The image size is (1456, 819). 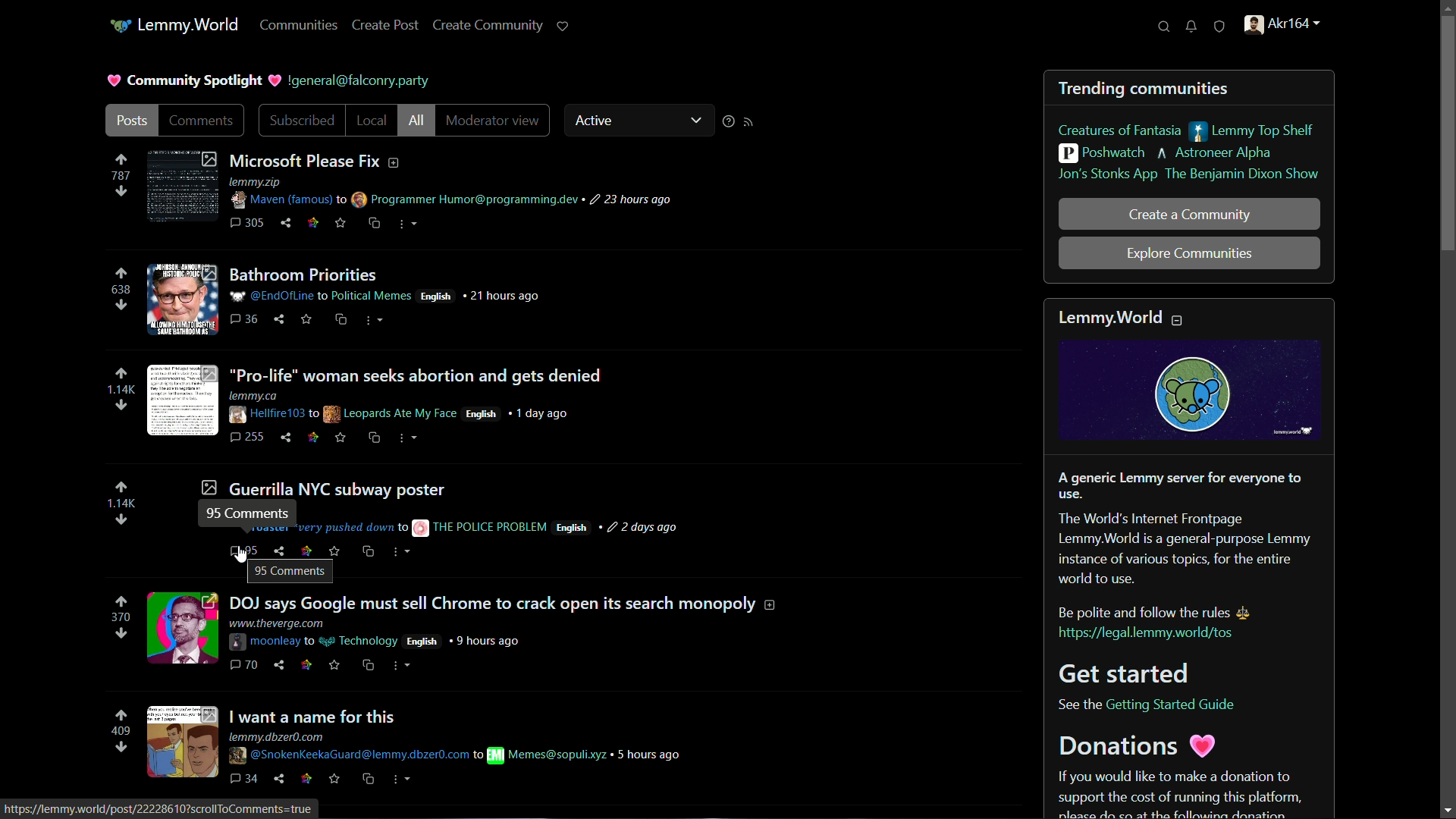 What do you see at coordinates (281, 666) in the screenshot?
I see `share` at bounding box center [281, 666].